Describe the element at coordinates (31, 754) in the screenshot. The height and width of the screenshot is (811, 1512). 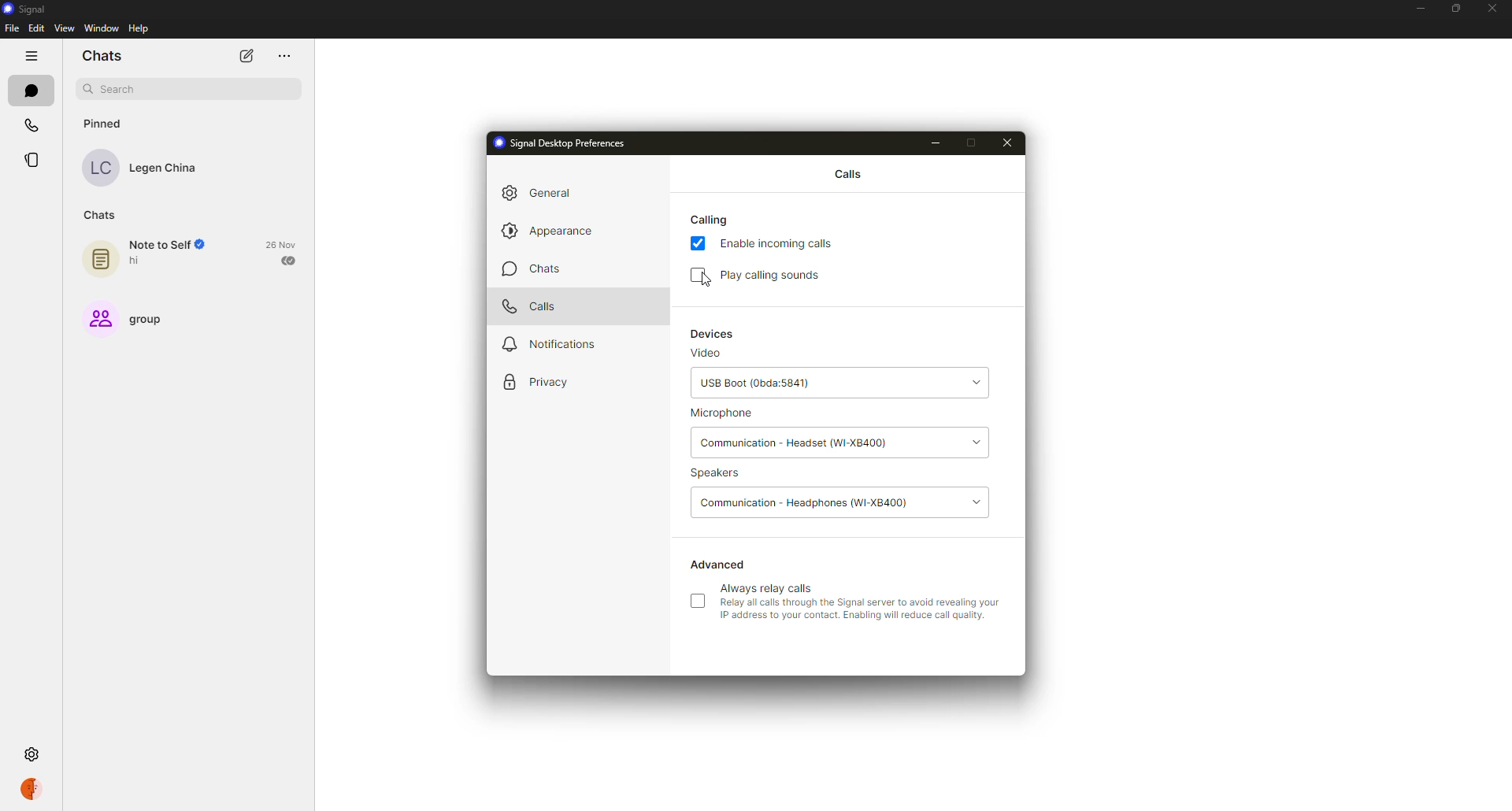
I see `settings` at that location.